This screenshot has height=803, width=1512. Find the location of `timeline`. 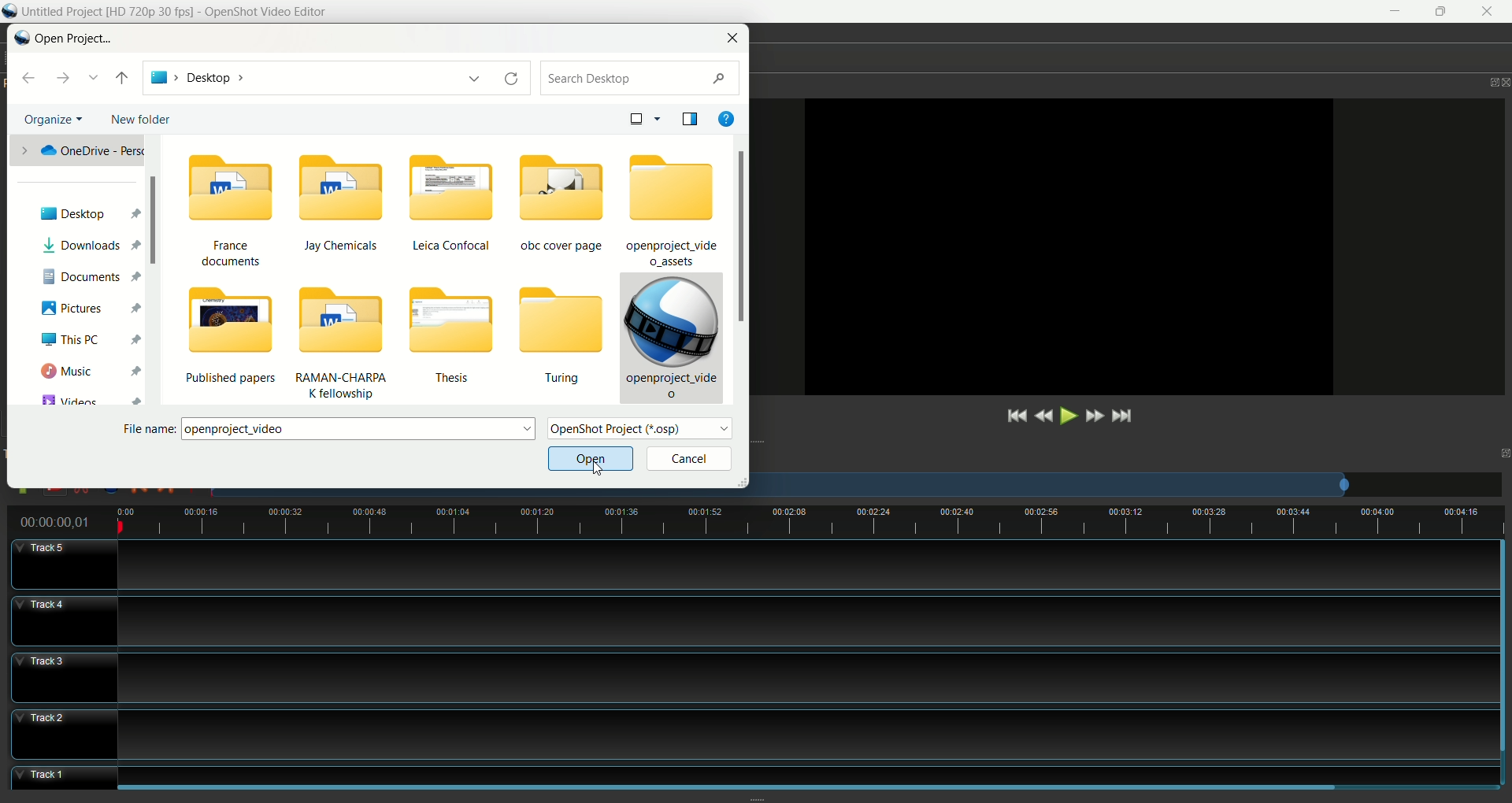

timeline is located at coordinates (801, 523).